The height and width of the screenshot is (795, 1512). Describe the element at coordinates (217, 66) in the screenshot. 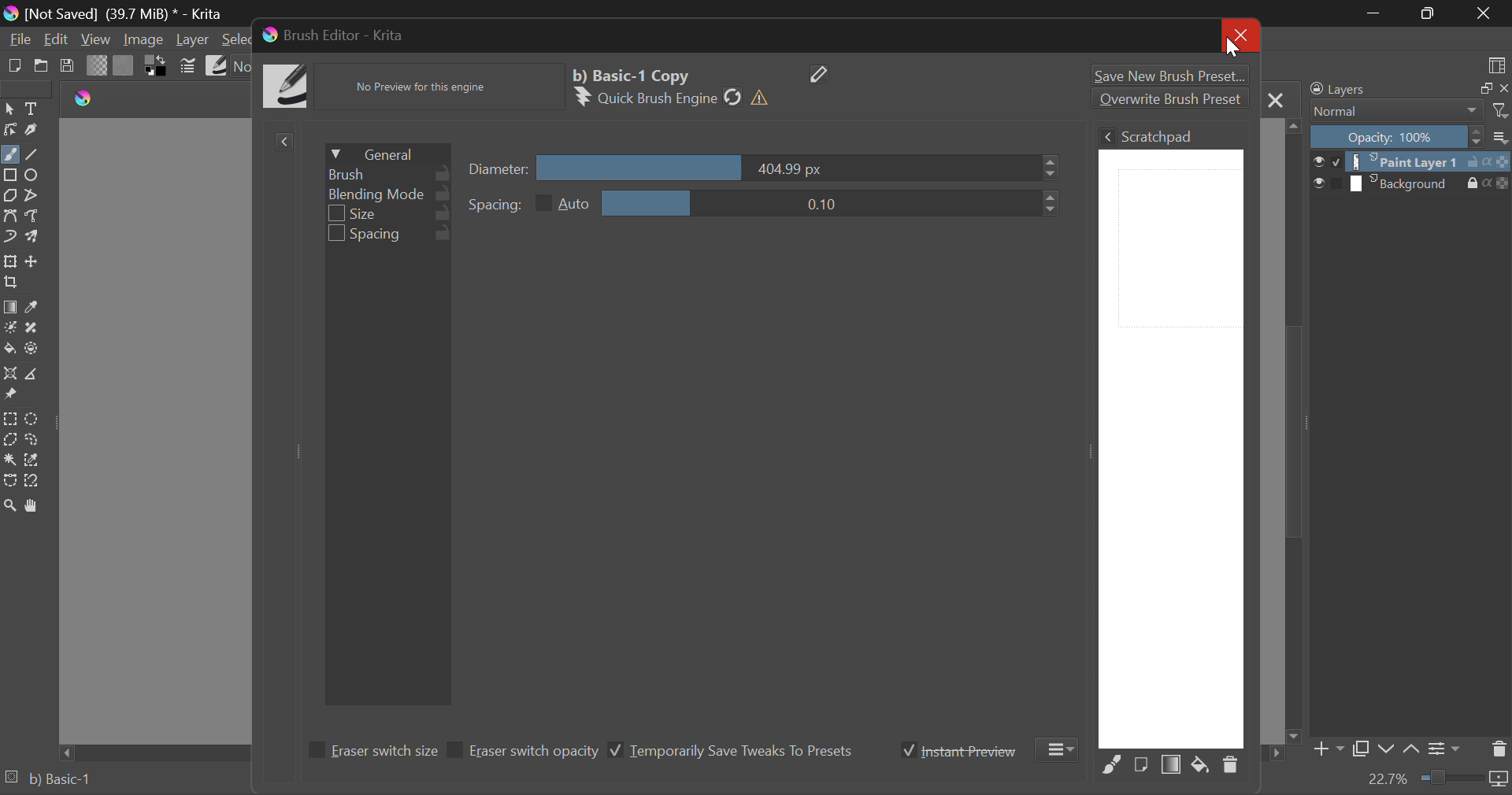

I see `Brush Presets` at that location.